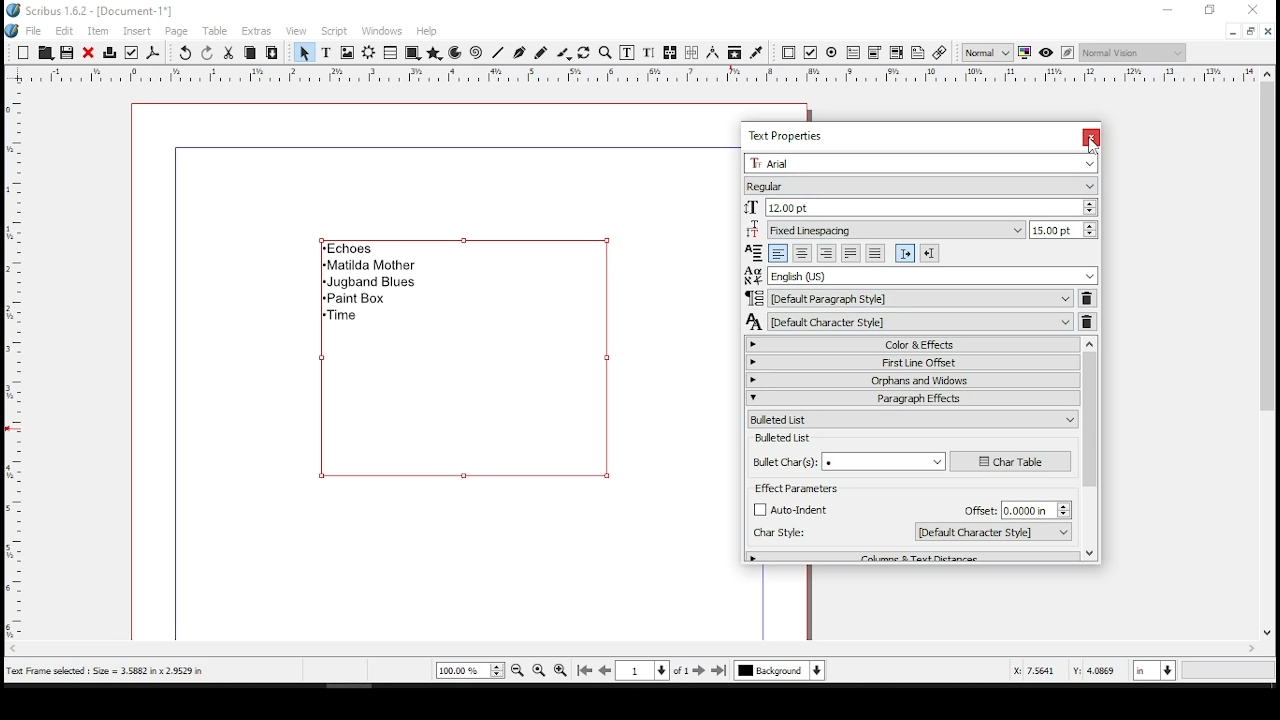 This screenshot has height=720, width=1280. Describe the element at coordinates (910, 298) in the screenshot. I see `paragraph style` at that location.